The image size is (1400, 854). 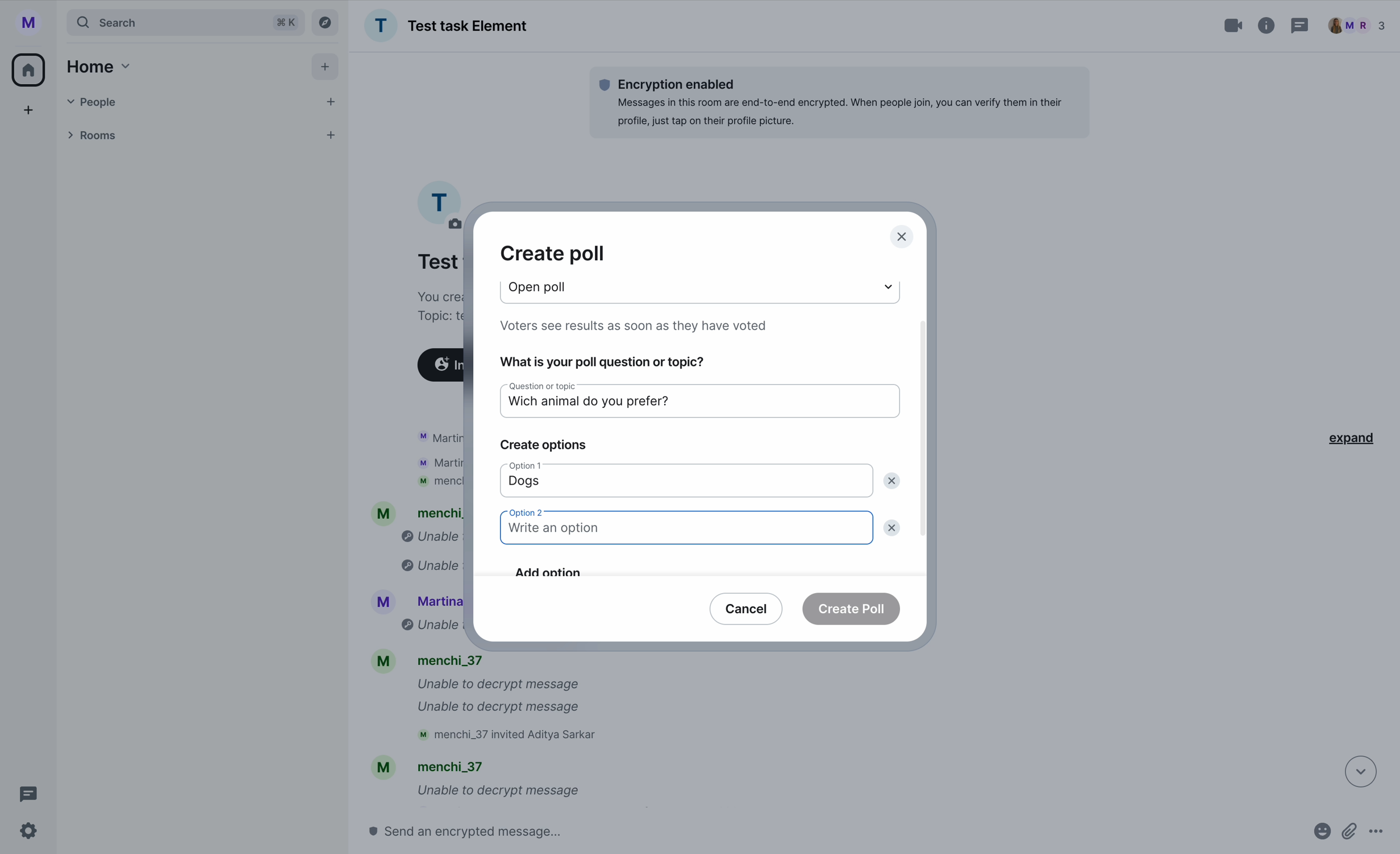 I want to click on dogs, so click(x=527, y=484).